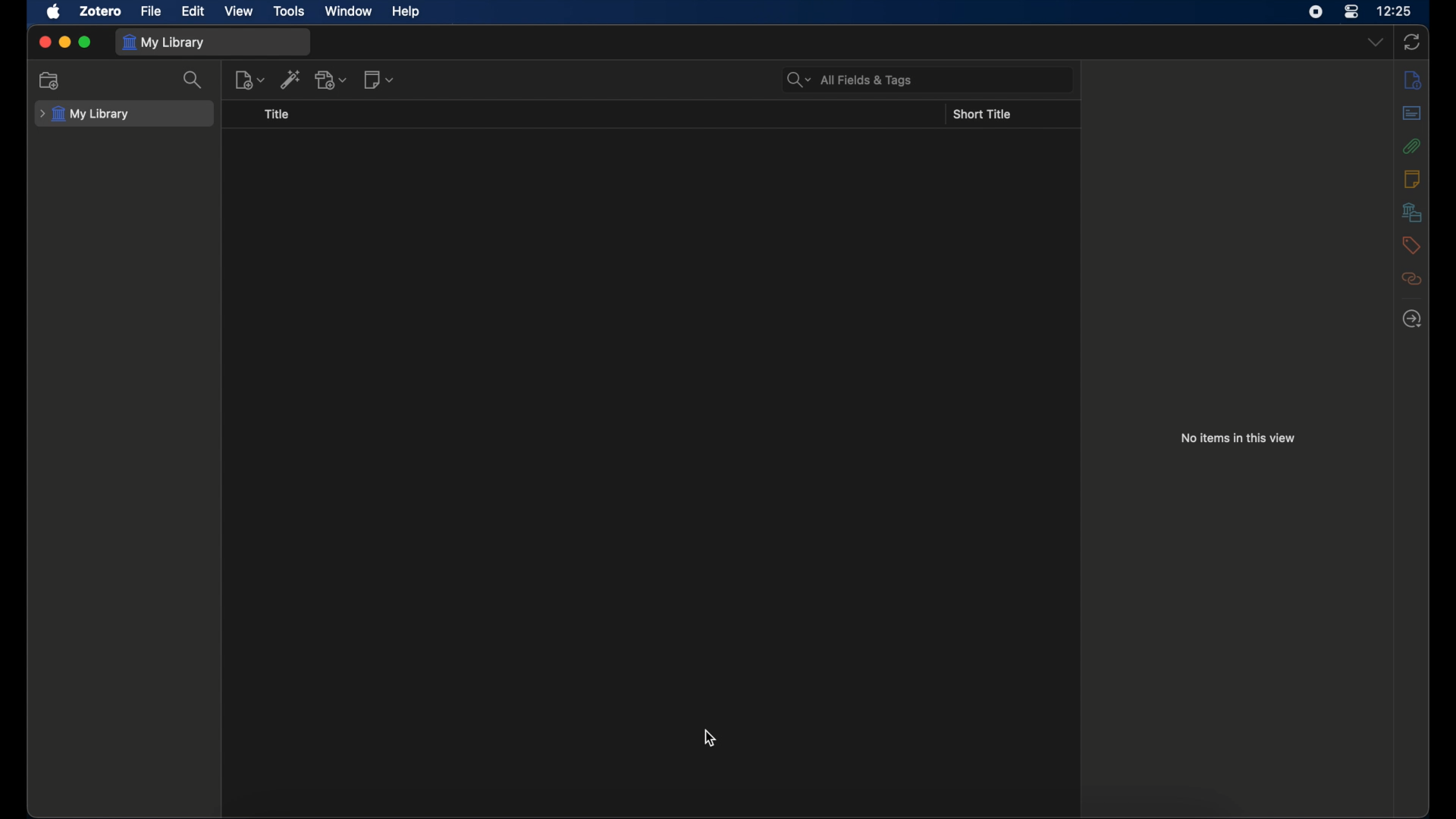 This screenshot has height=819, width=1456. Describe the element at coordinates (332, 80) in the screenshot. I see `add attachments` at that location.